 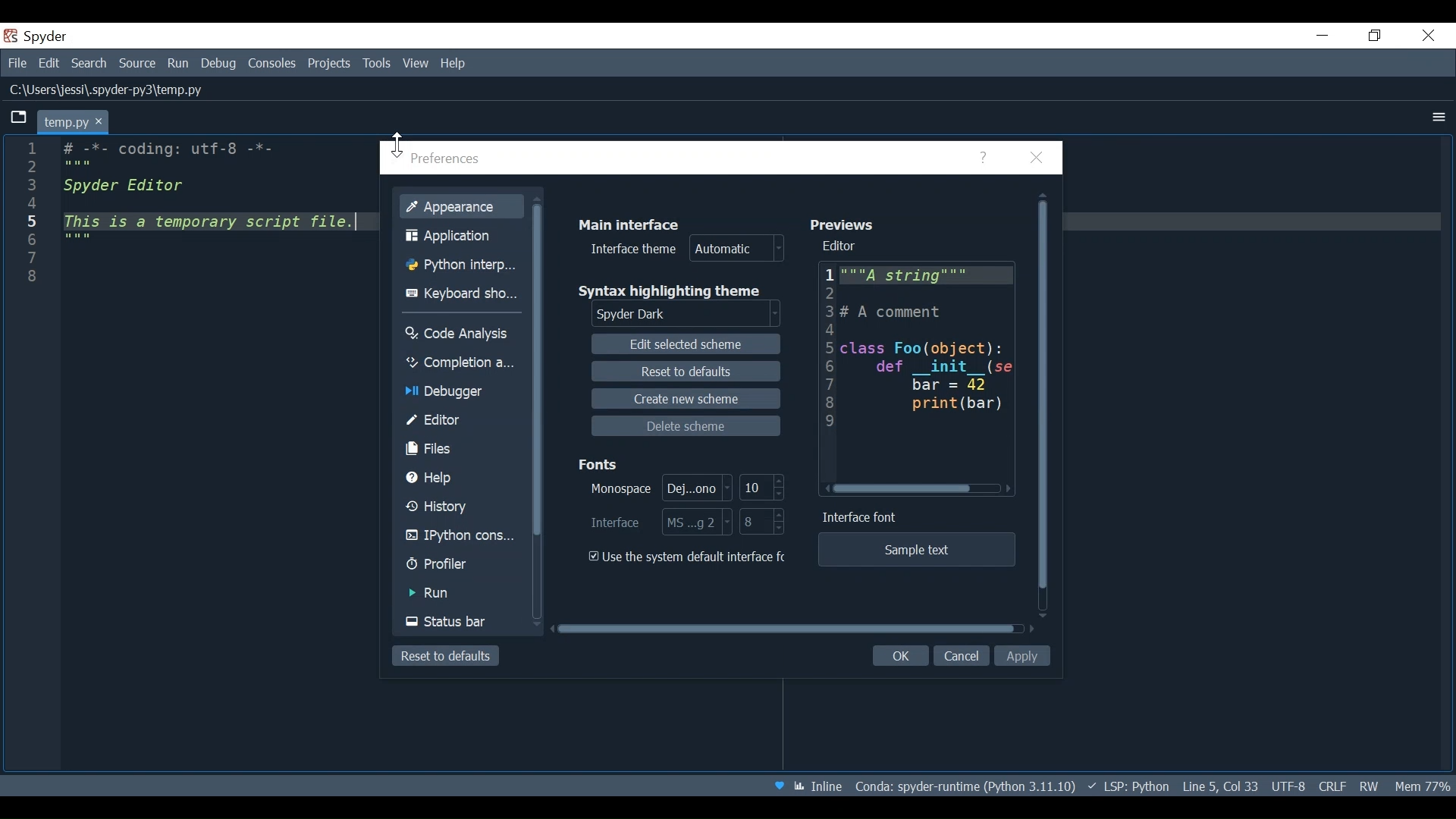 I want to click on Help, so click(x=454, y=64).